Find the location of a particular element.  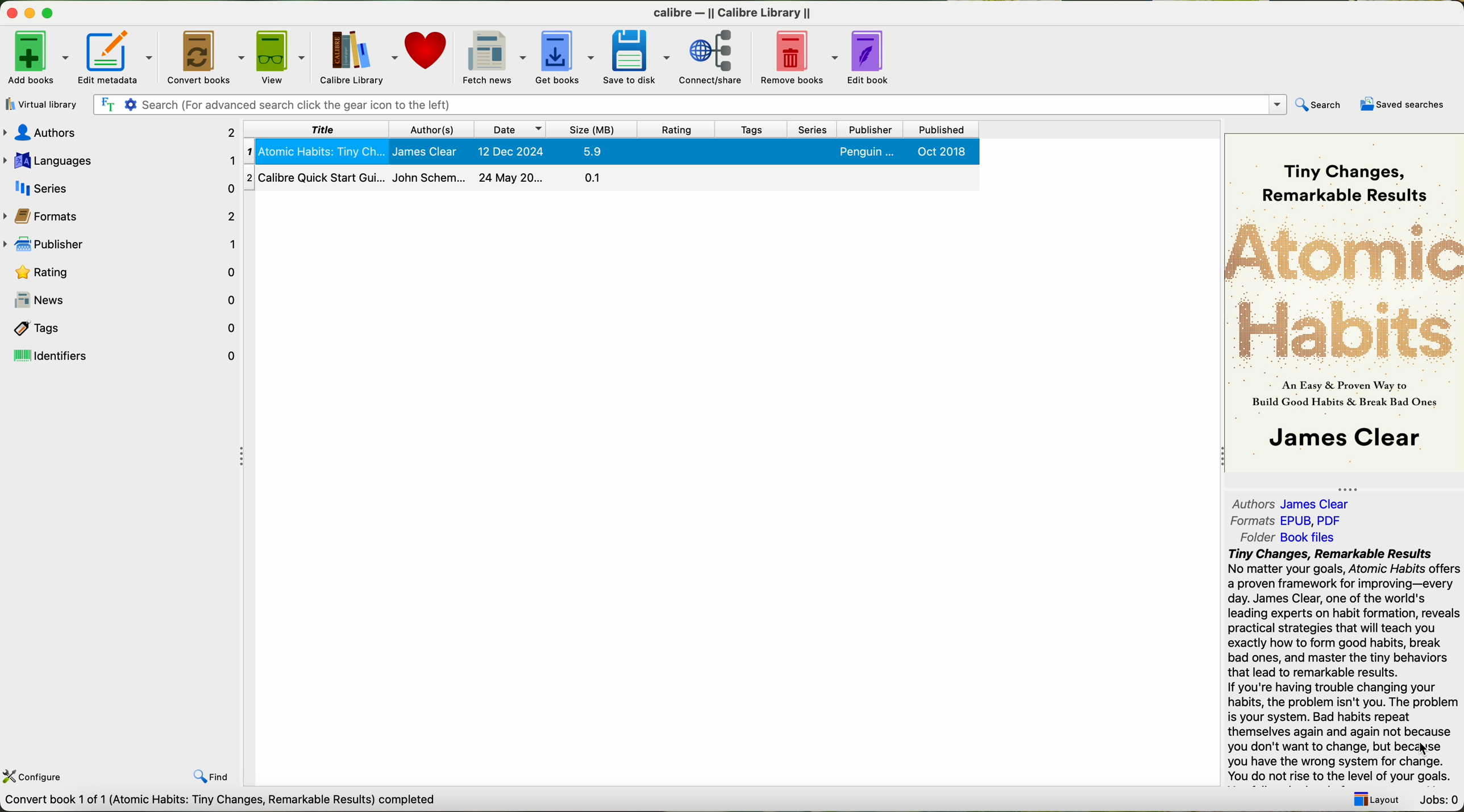

series is located at coordinates (813, 130).